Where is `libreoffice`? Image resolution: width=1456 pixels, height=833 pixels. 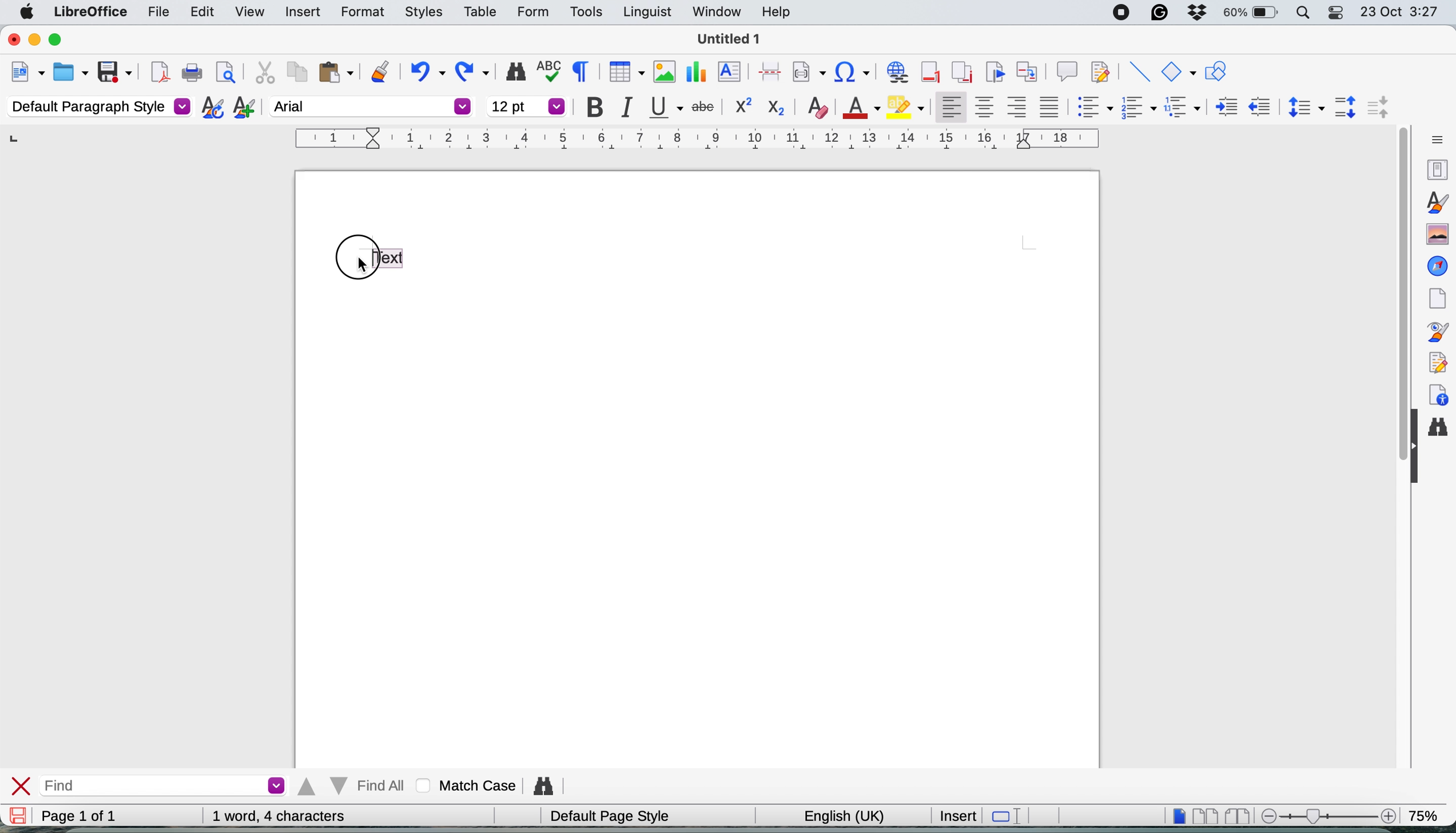
libreoffice is located at coordinates (88, 14).